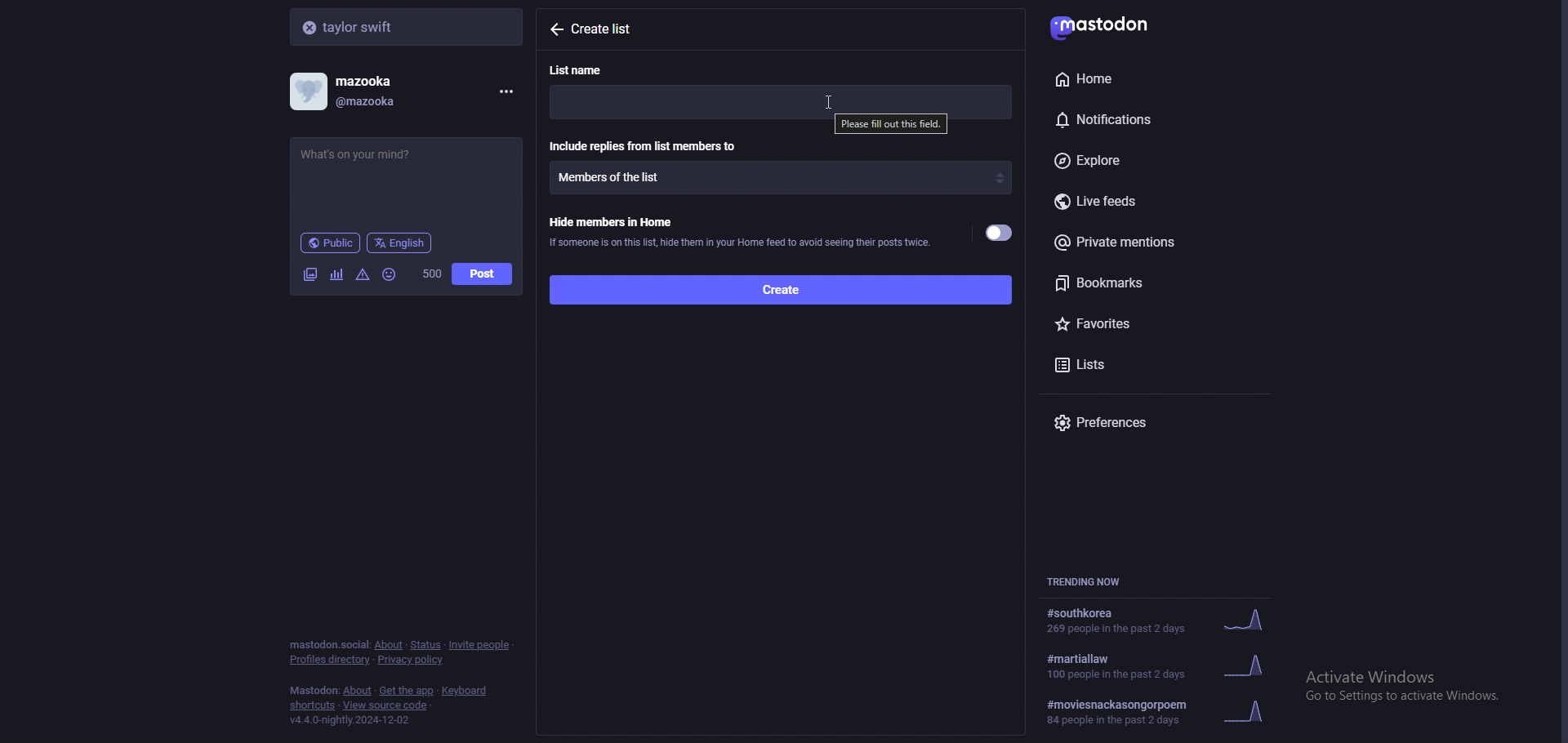 This screenshot has height=743, width=1568. I want to click on language, so click(400, 242).